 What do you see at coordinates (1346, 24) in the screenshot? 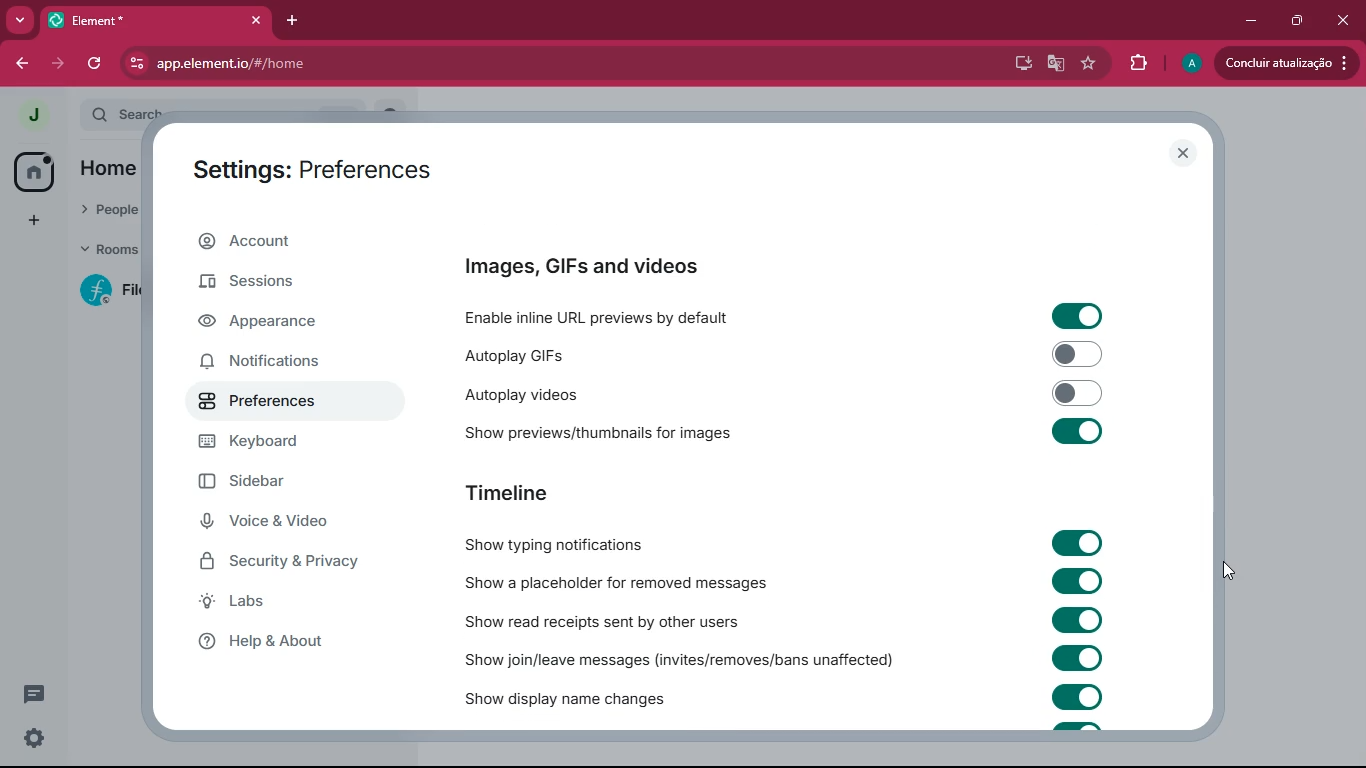
I see `close` at bounding box center [1346, 24].